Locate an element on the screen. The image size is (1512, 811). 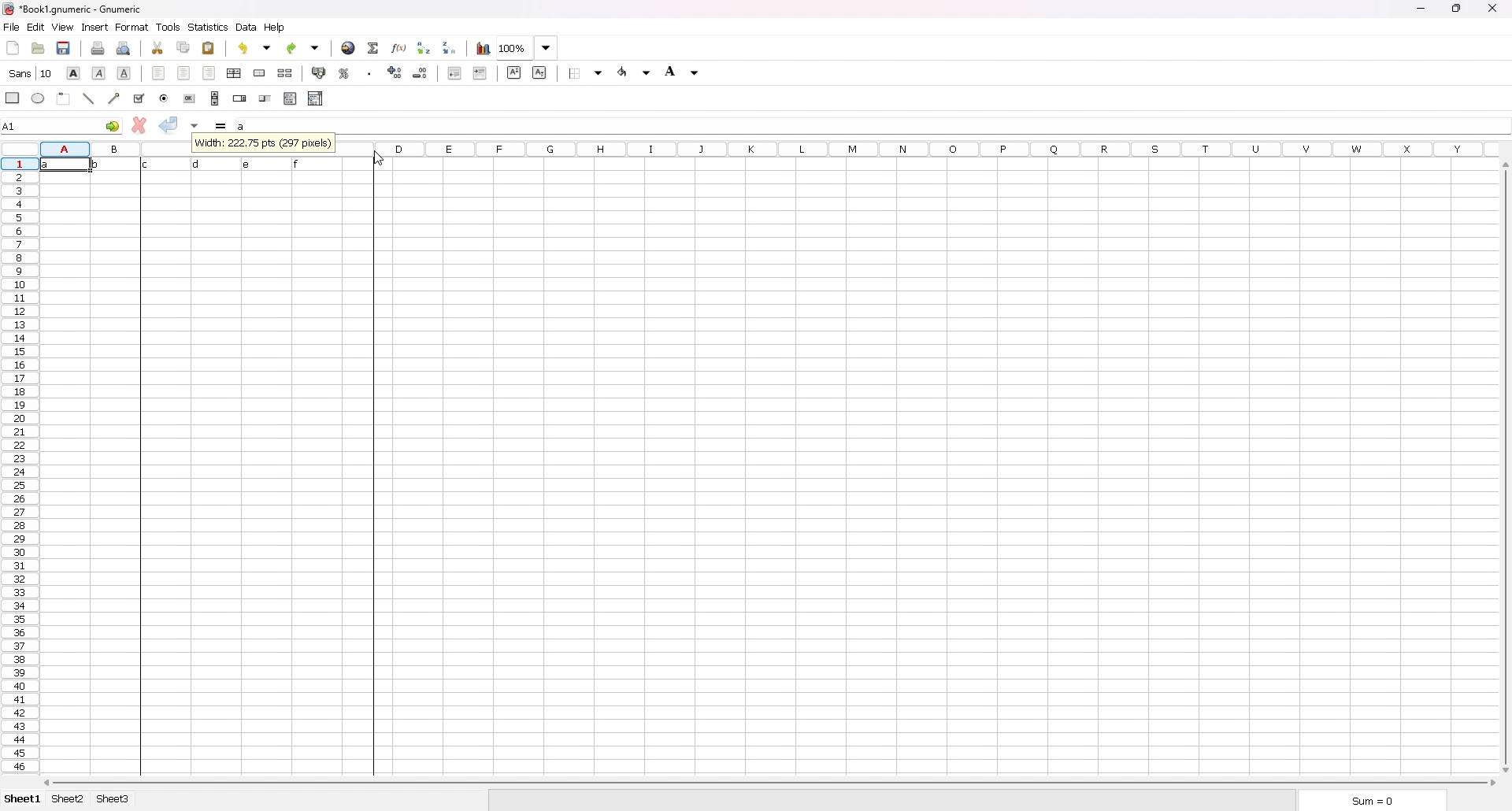
font is located at coordinates (32, 72).